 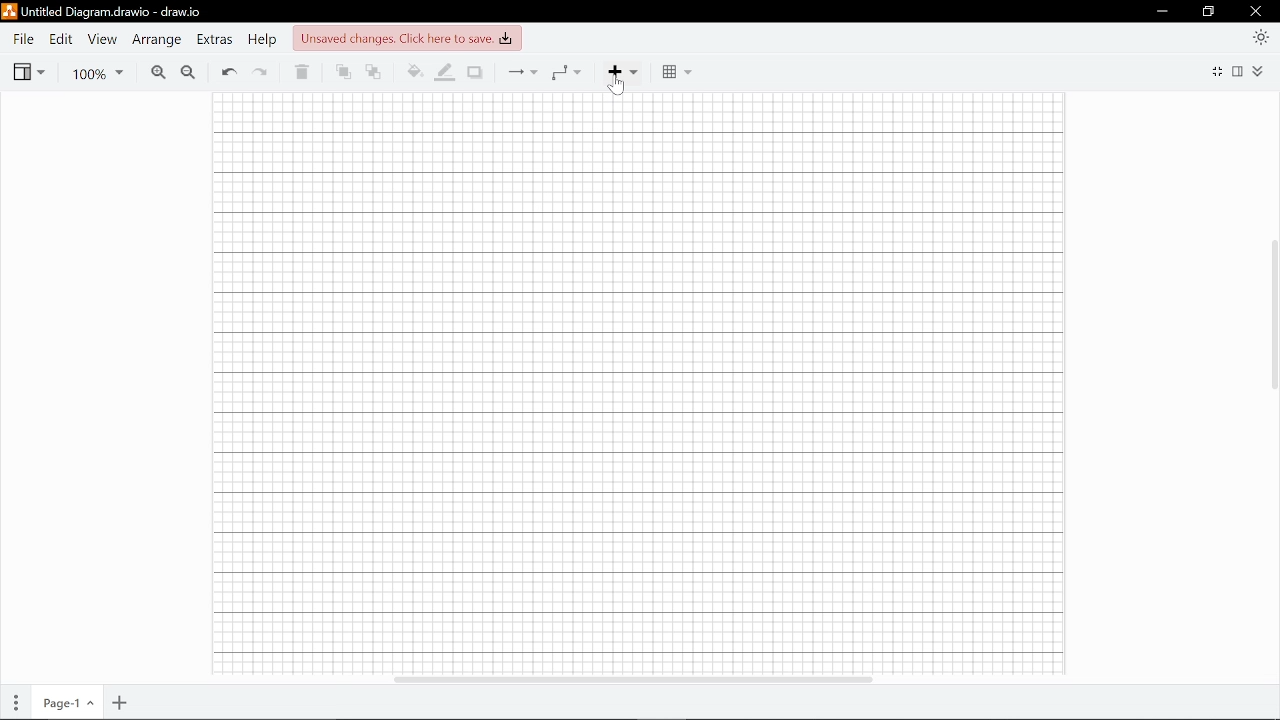 I want to click on View, so click(x=29, y=71).